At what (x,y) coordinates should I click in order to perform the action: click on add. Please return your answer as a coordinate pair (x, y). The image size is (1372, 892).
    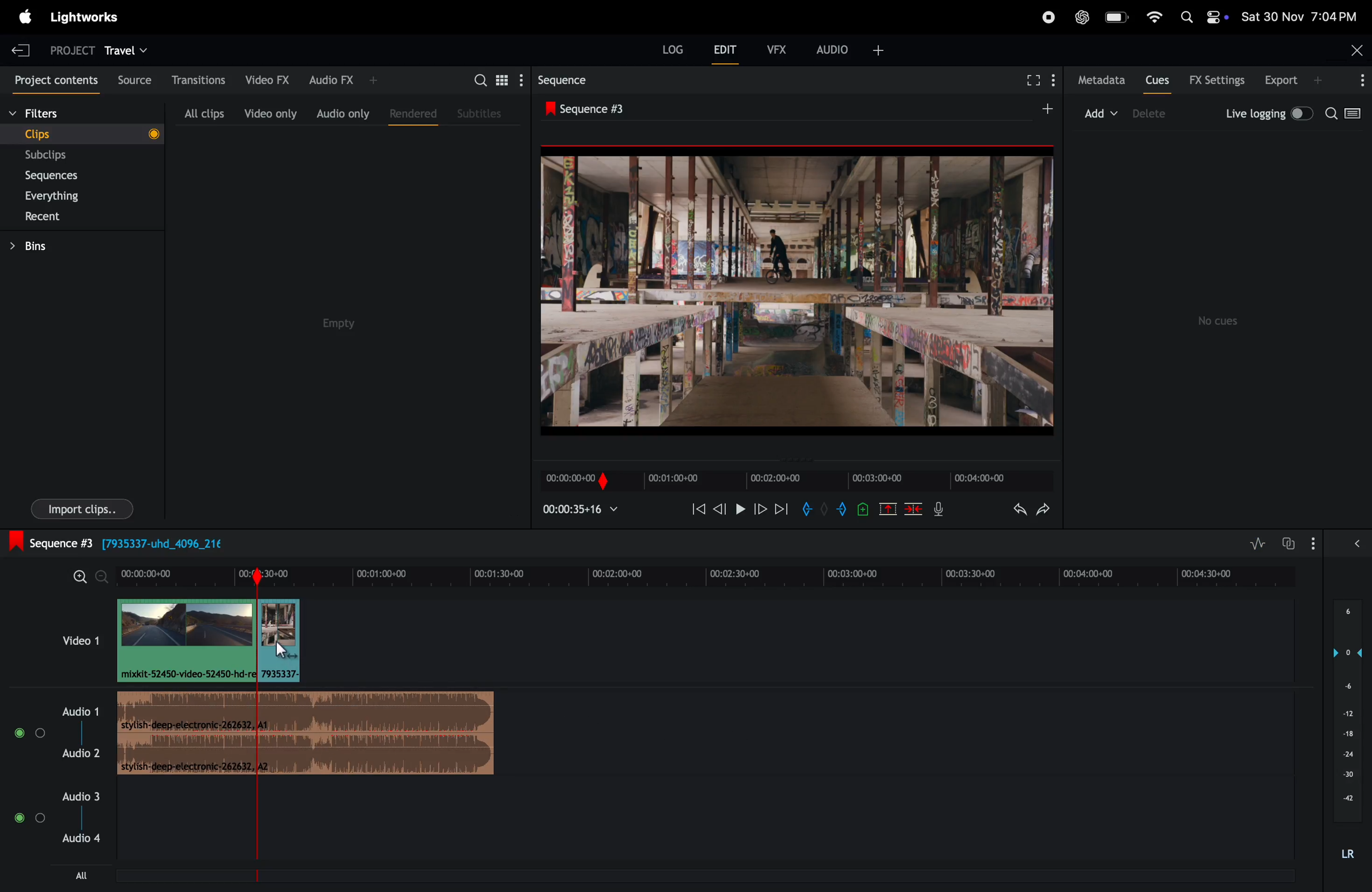
    Looking at the image, I should click on (1102, 112).